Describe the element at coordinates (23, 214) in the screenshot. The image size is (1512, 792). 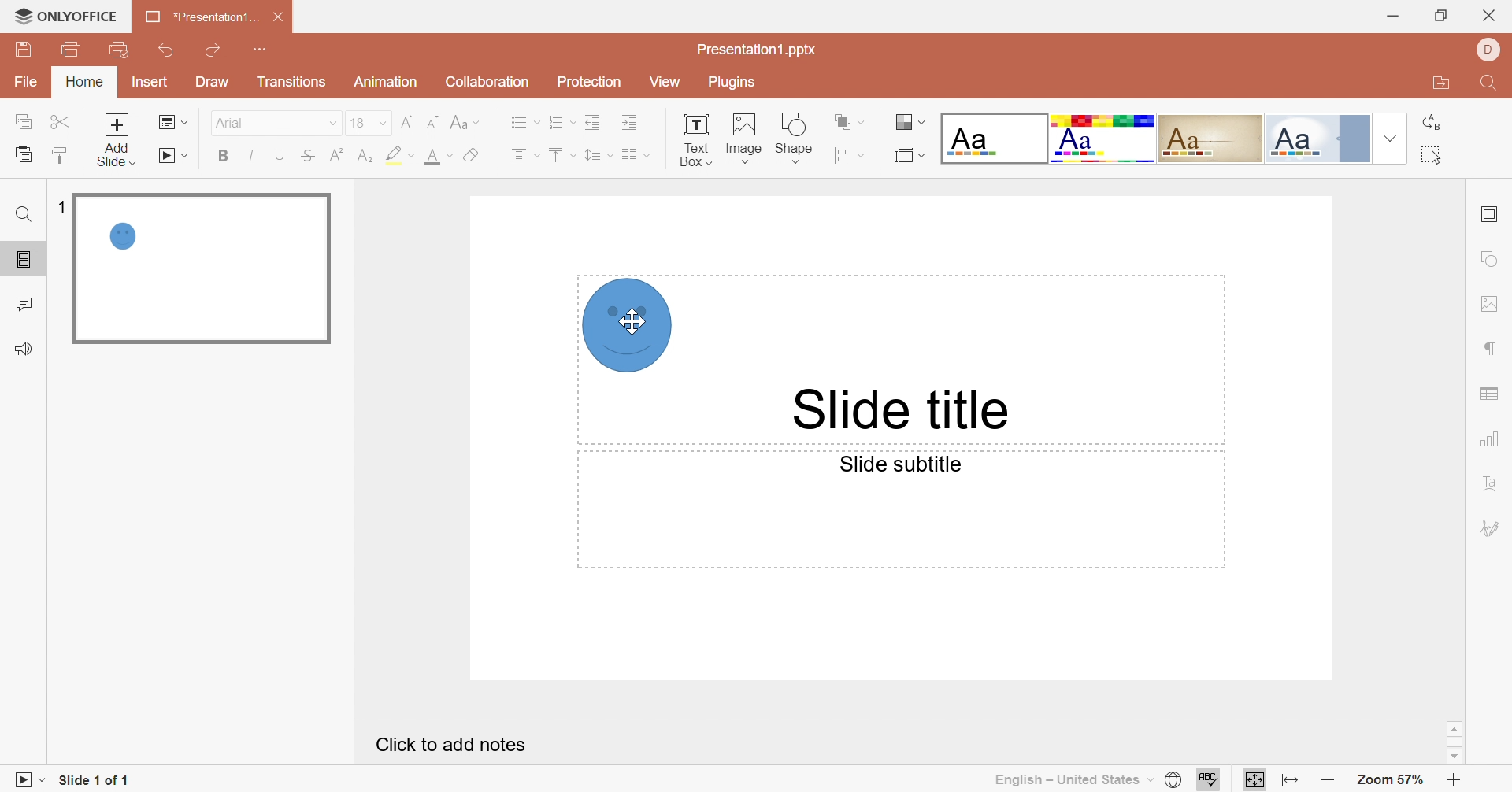
I see `Find` at that location.